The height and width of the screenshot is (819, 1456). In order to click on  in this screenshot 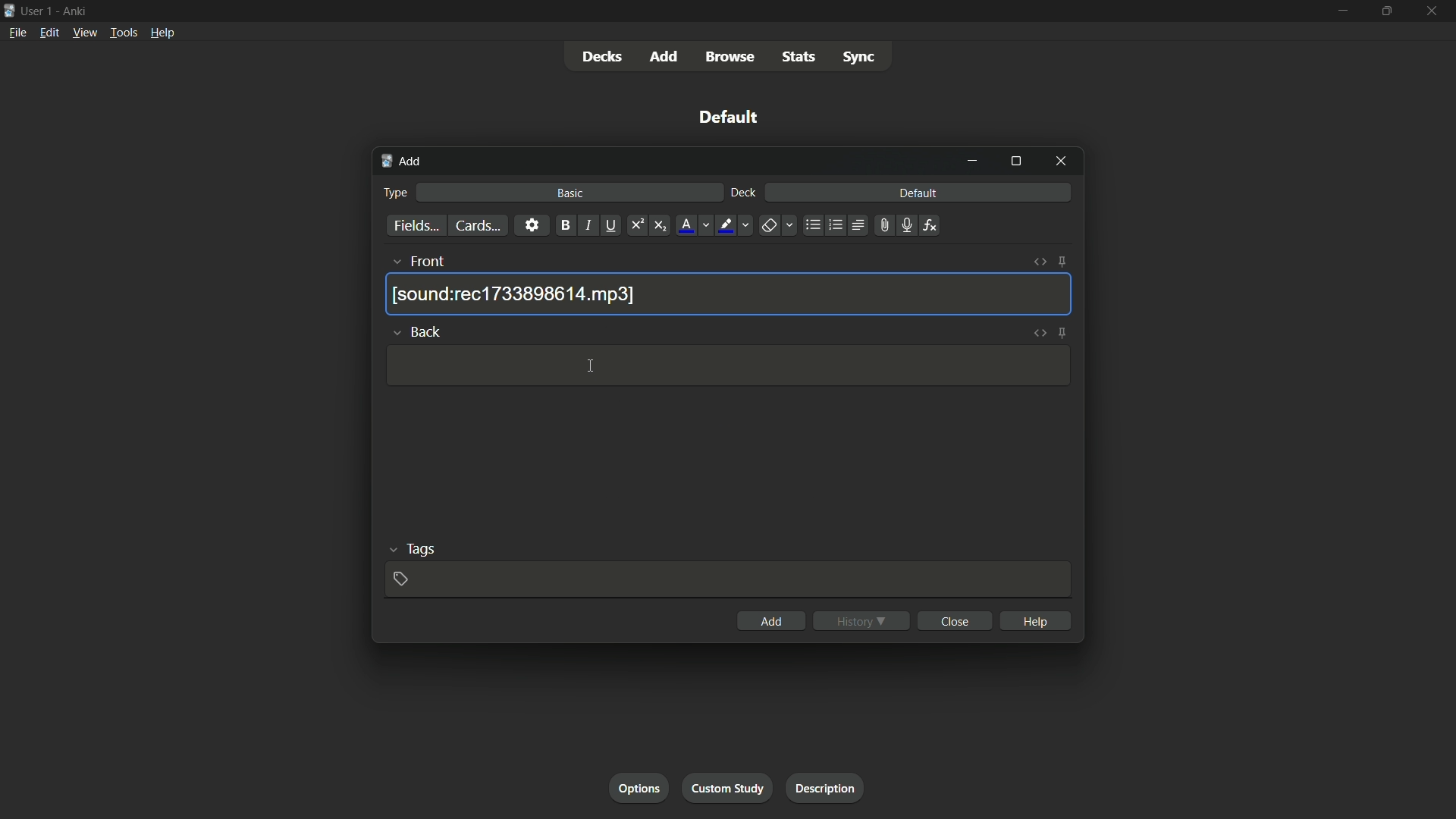, I will do `click(727, 789)`.